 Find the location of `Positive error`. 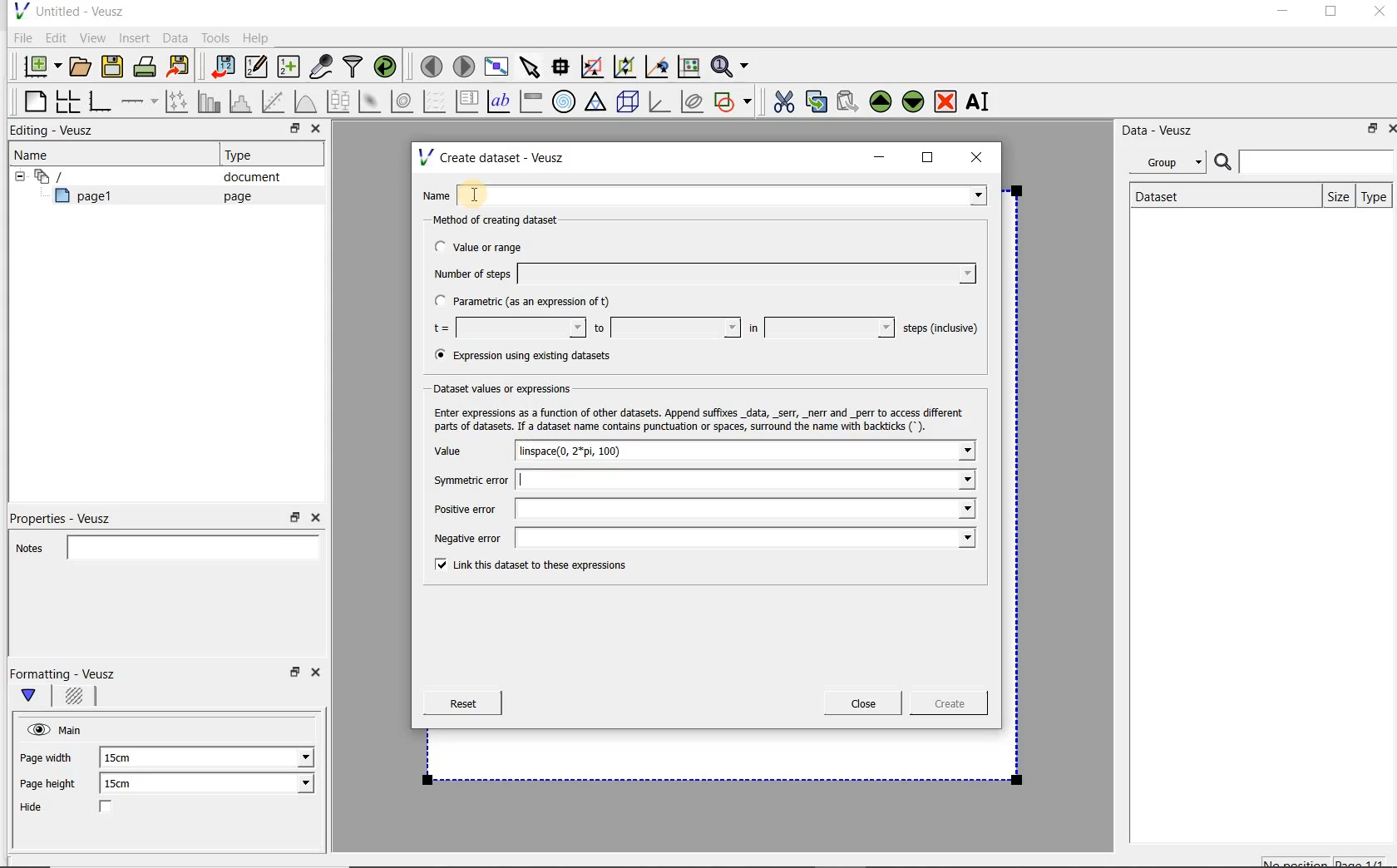

Positive error is located at coordinates (698, 509).